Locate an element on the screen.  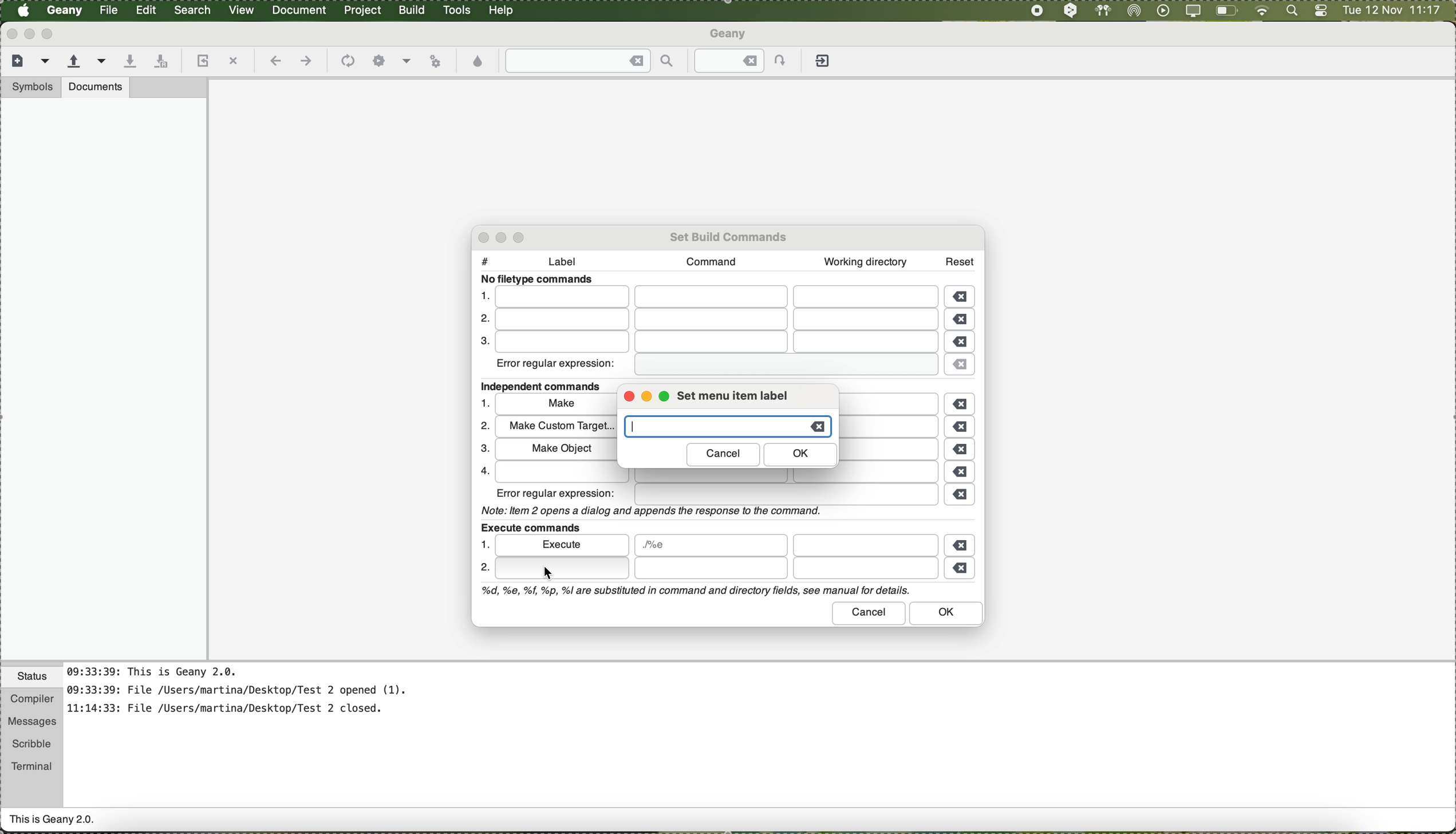
search is located at coordinates (194, 10).